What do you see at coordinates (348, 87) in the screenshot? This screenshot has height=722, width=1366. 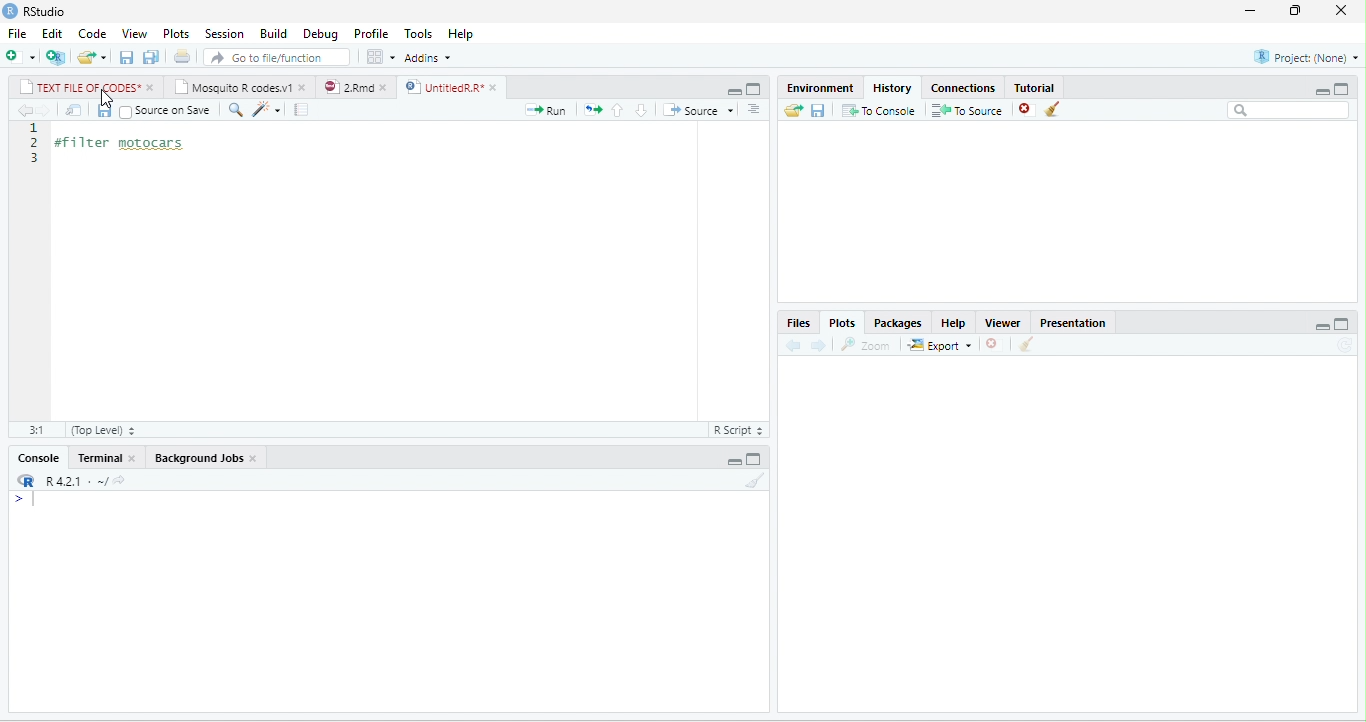 I see `2.Rmd` at bounding box center [348, 87].